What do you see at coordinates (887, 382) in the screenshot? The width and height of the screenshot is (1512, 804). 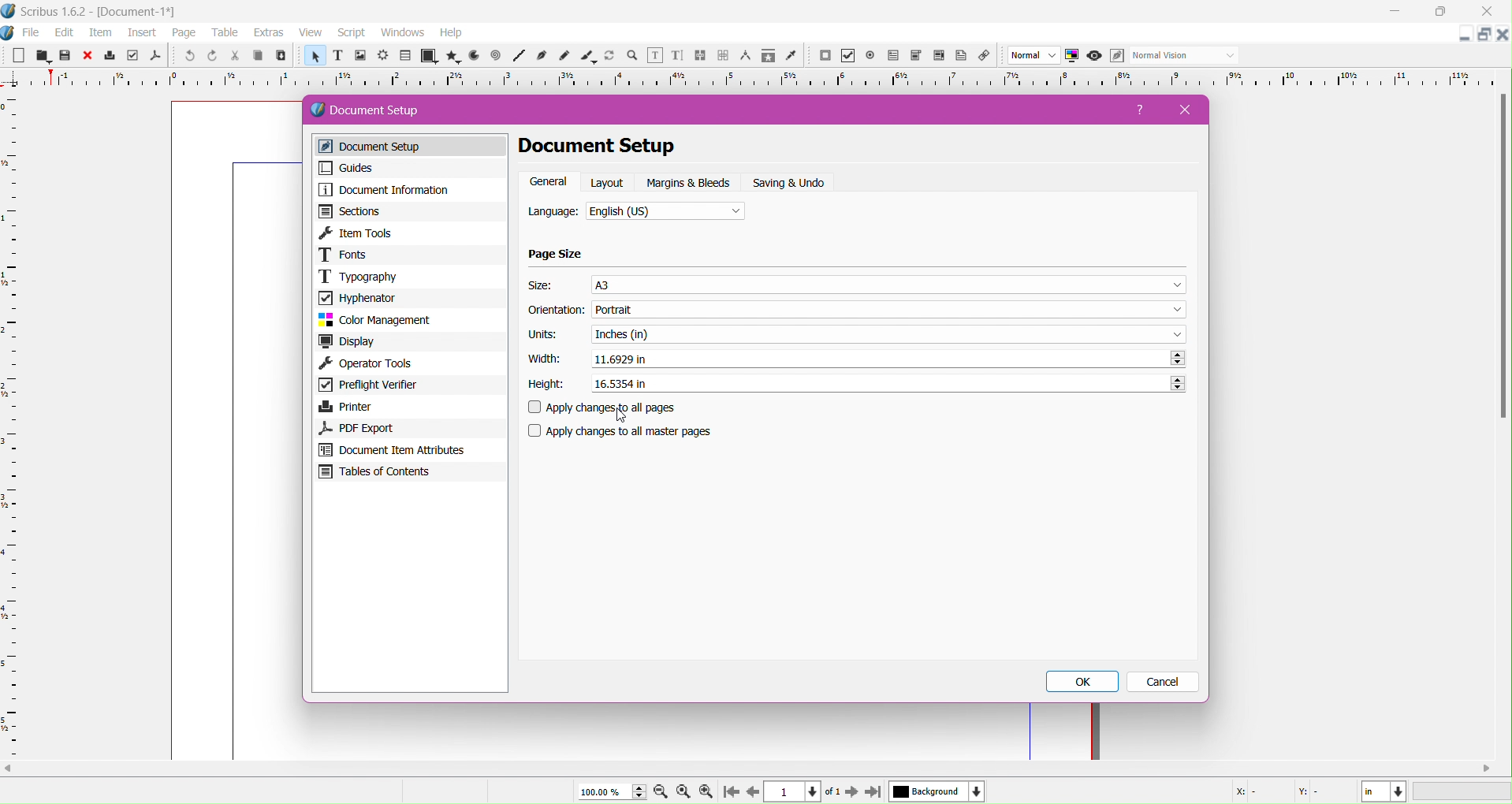 I see `Set the required Height` at bounding box center [887, 382].